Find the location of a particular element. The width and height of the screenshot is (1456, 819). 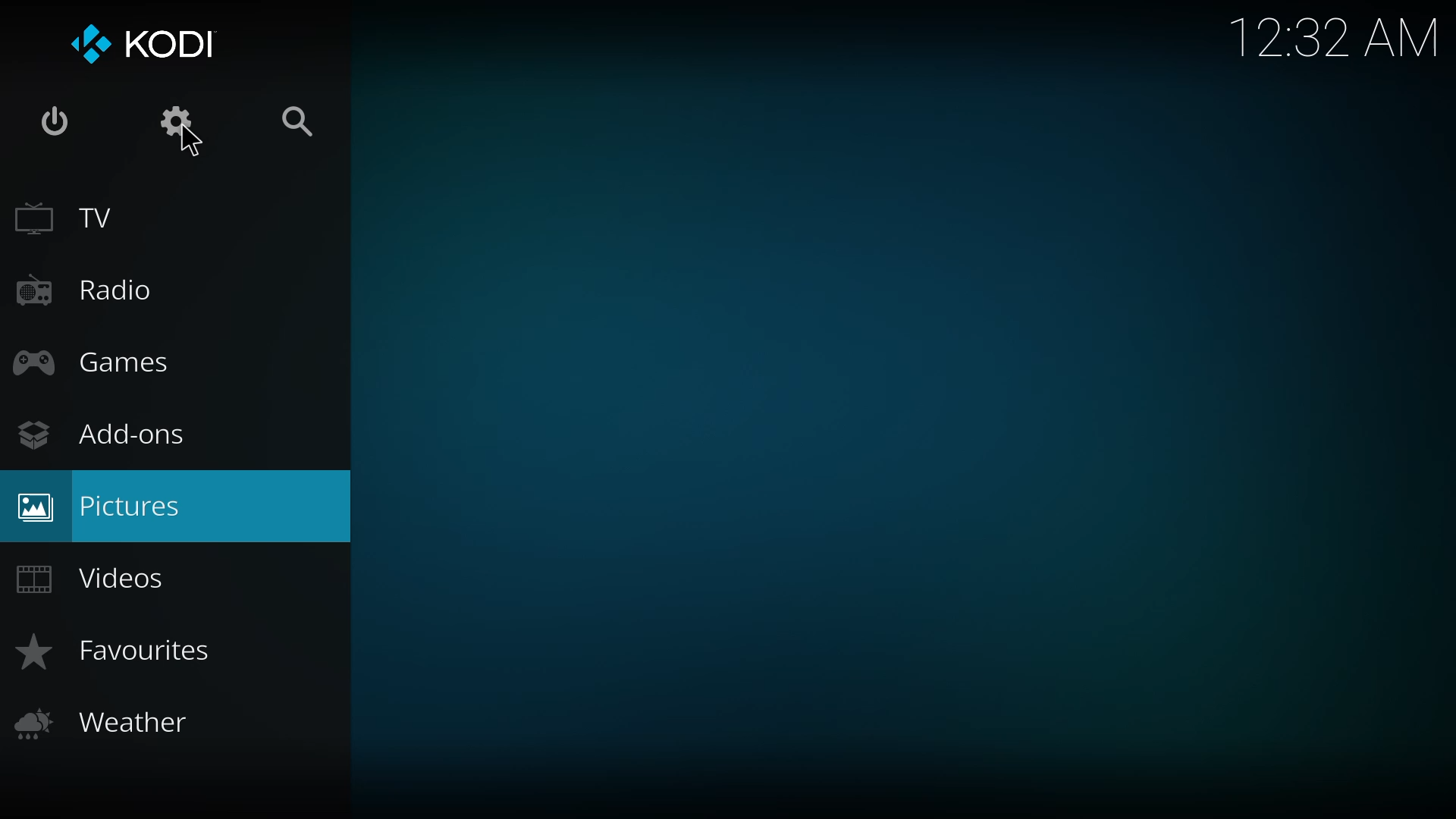

search is located at coordinates (306, 124).